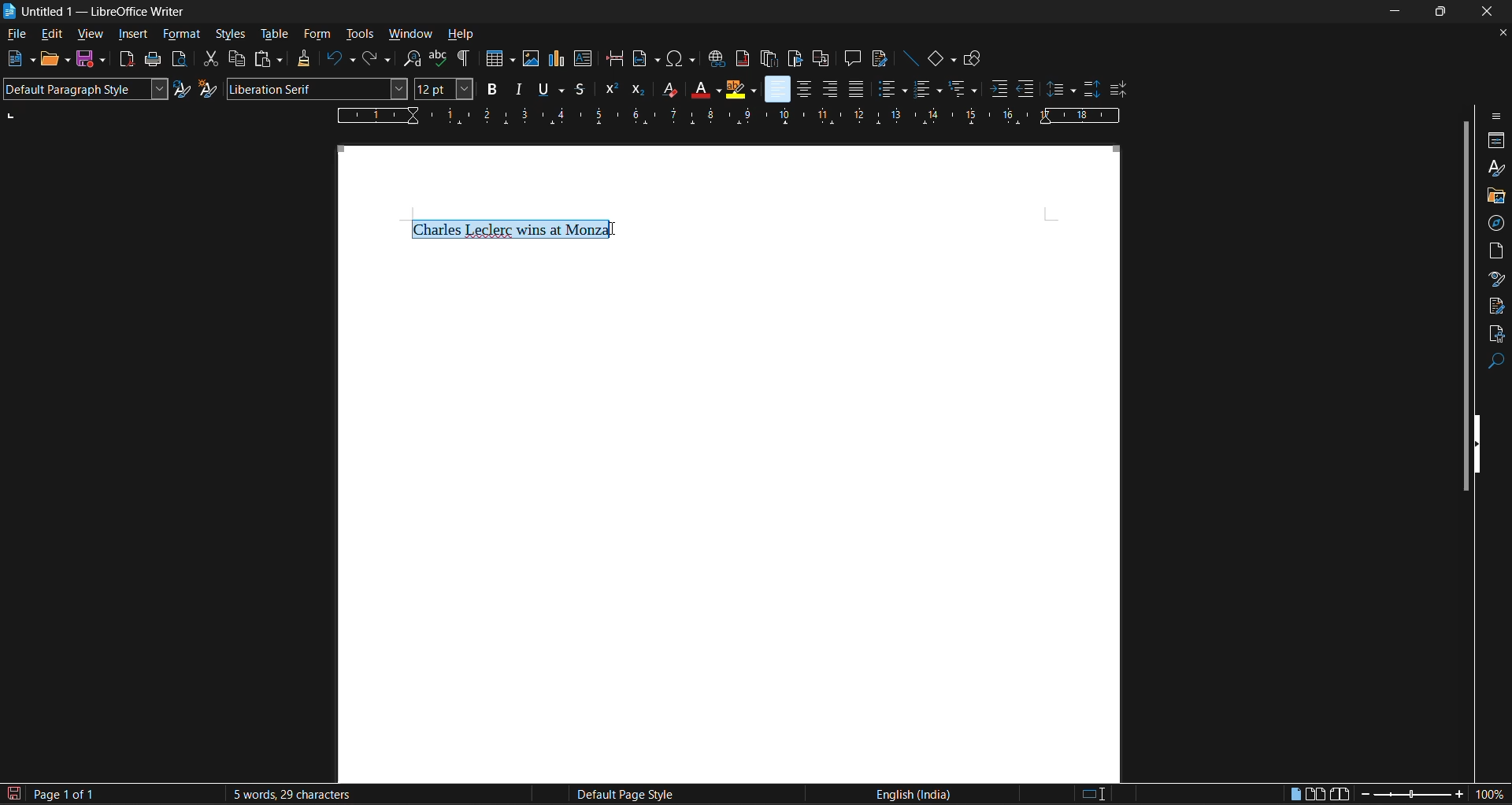 The height and width of the screenshot is (805, 1512). I want to click on cut, so click(206, 58).